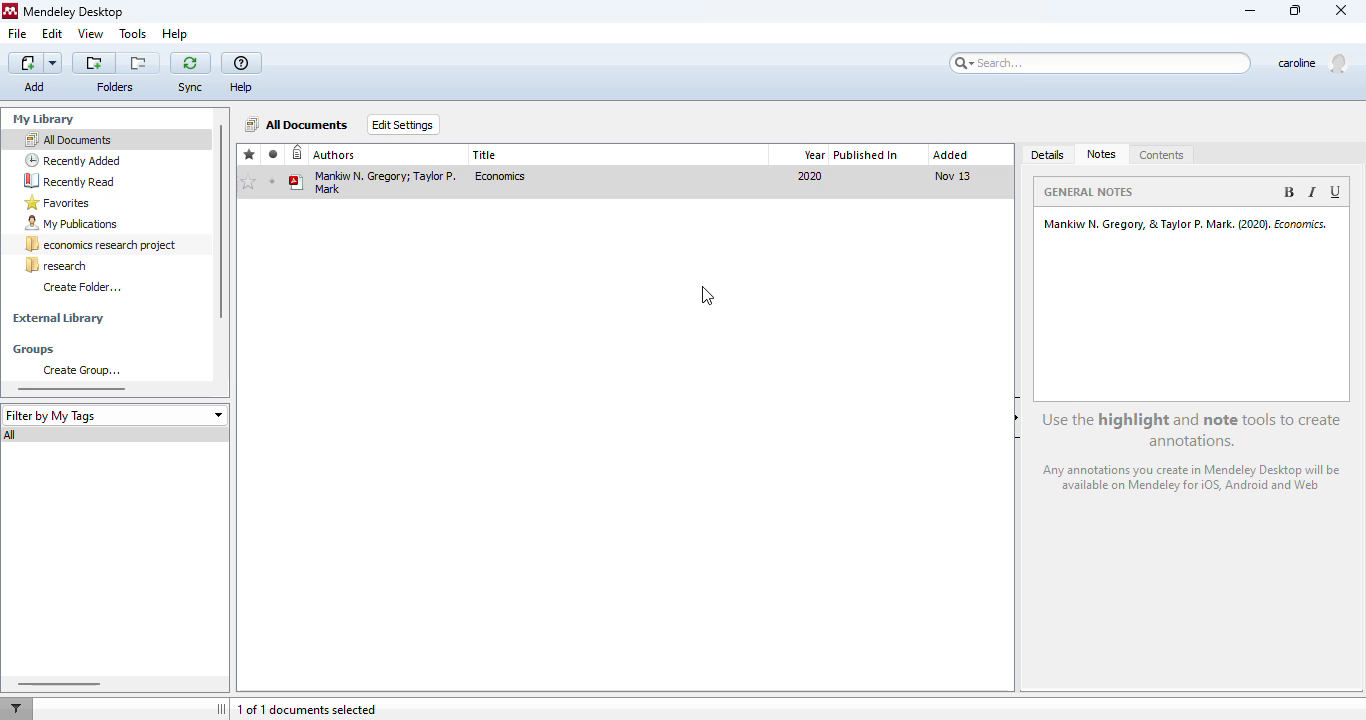 The height and width of the screenshot is (720, 1366). I want to click on close, so click(1343, 11).